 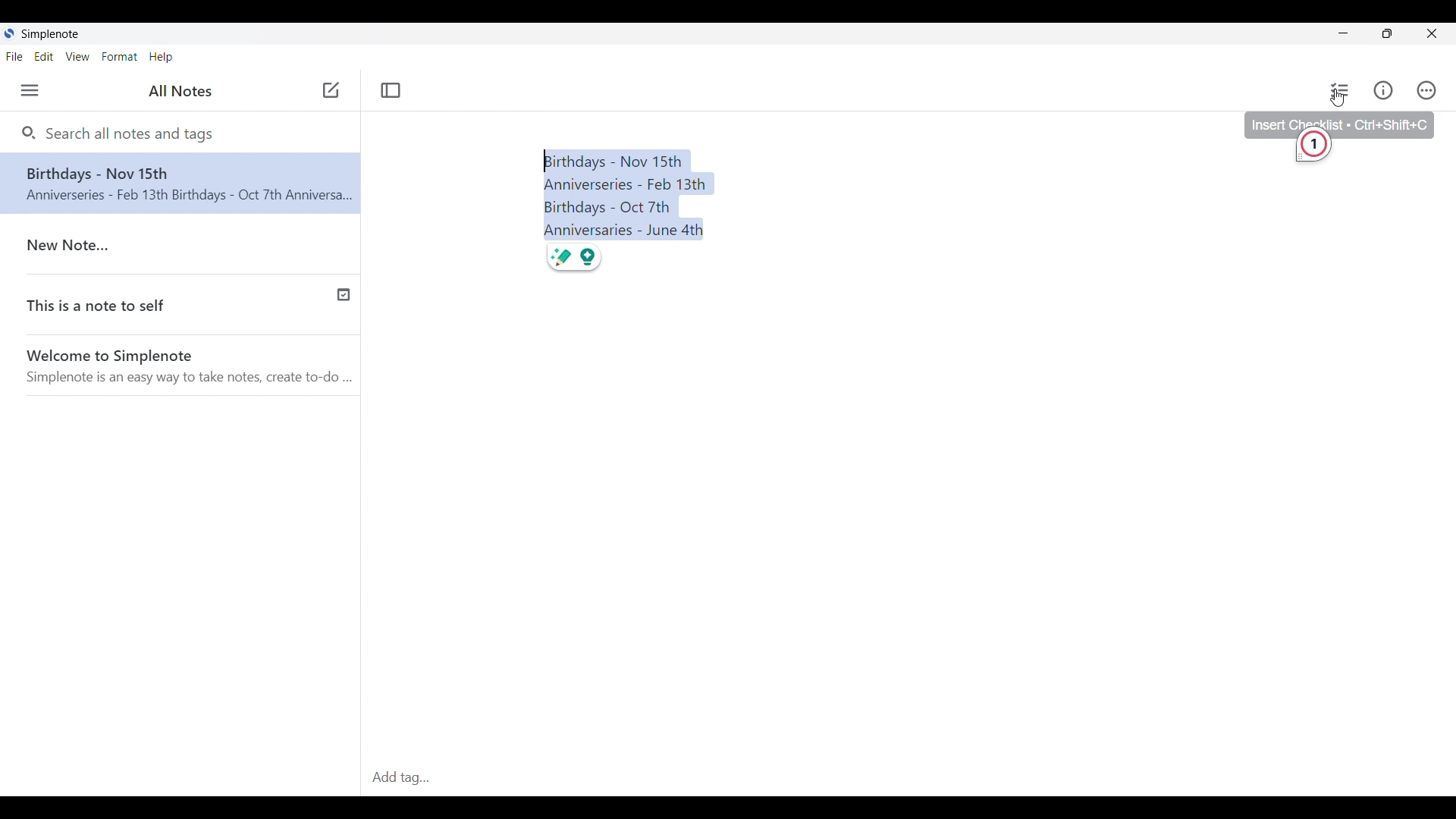 What do you see at coordinates (1388, 33) in the screenshot?
I see `Show interface in a smaller tab` at bounding box center [1388, 33].